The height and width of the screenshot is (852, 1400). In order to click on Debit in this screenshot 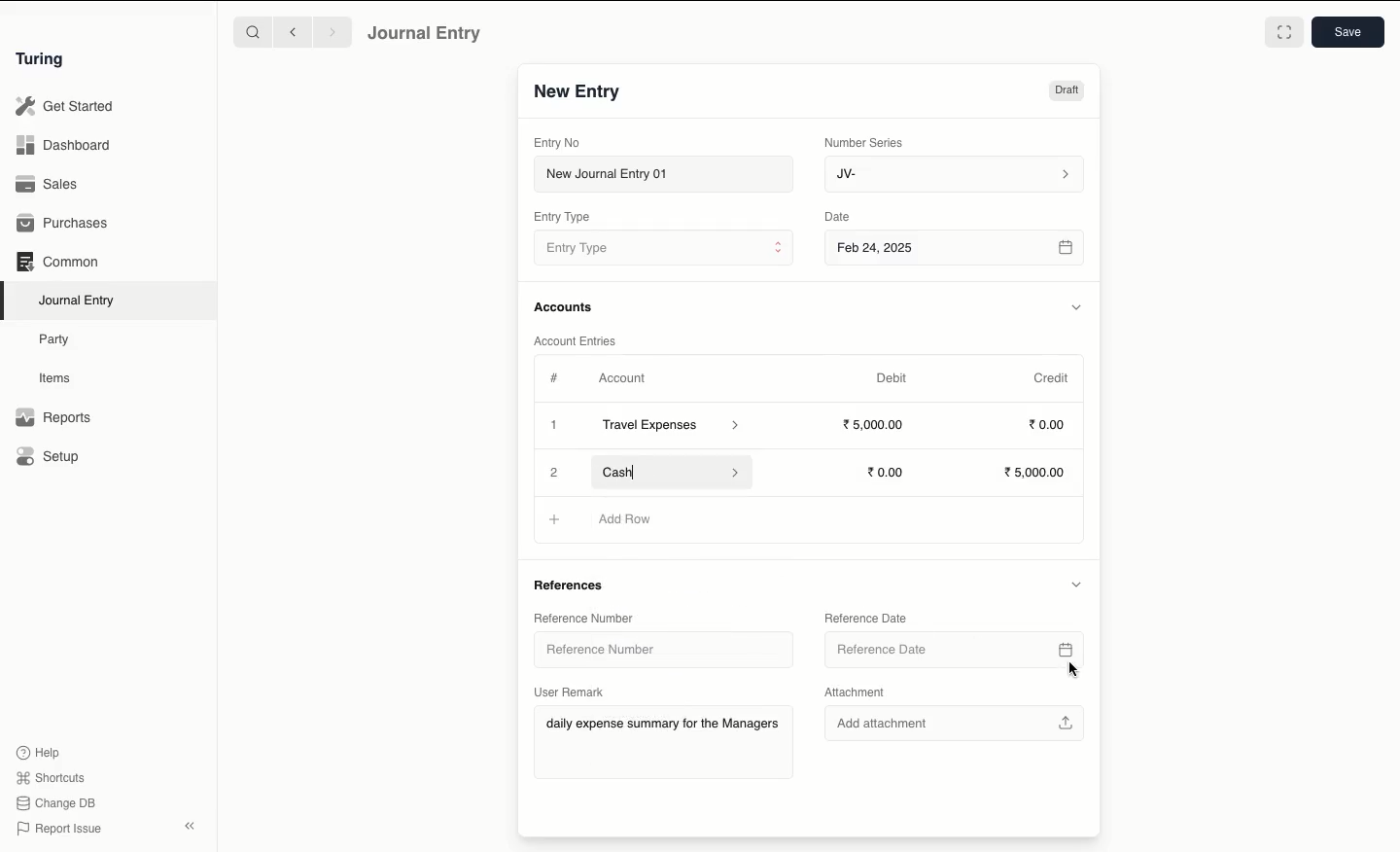, I will do `click(892, 378)`.